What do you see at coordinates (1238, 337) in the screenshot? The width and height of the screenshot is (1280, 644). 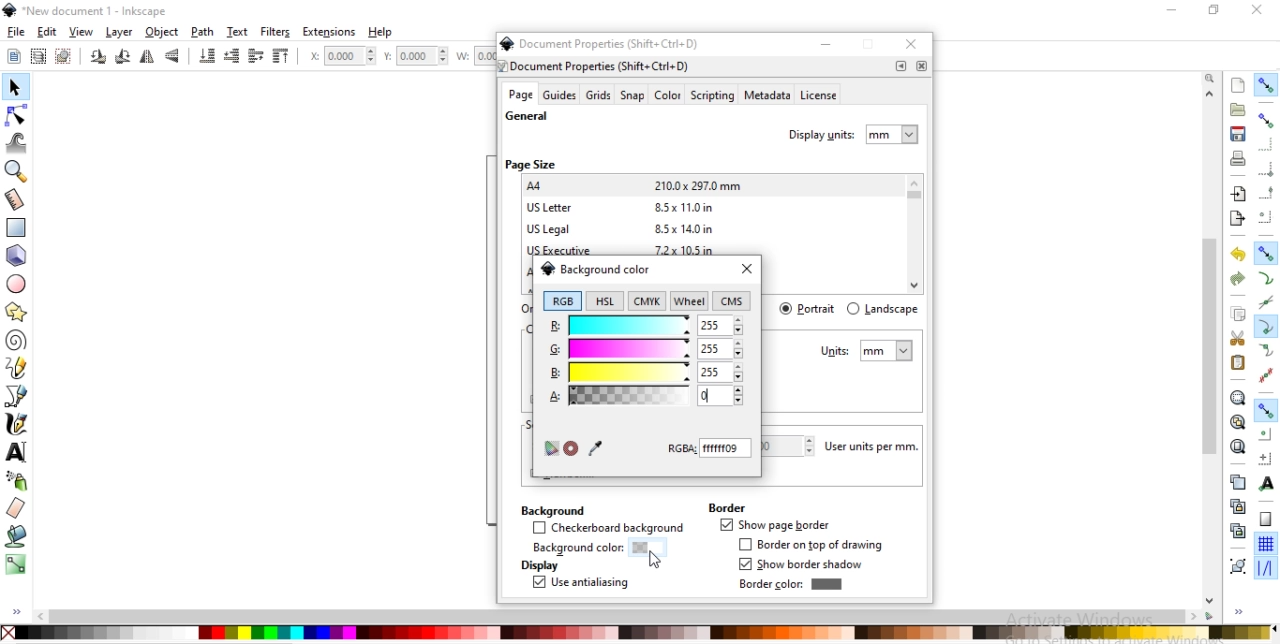 I see `cut` at bounding box center [1238, 337].